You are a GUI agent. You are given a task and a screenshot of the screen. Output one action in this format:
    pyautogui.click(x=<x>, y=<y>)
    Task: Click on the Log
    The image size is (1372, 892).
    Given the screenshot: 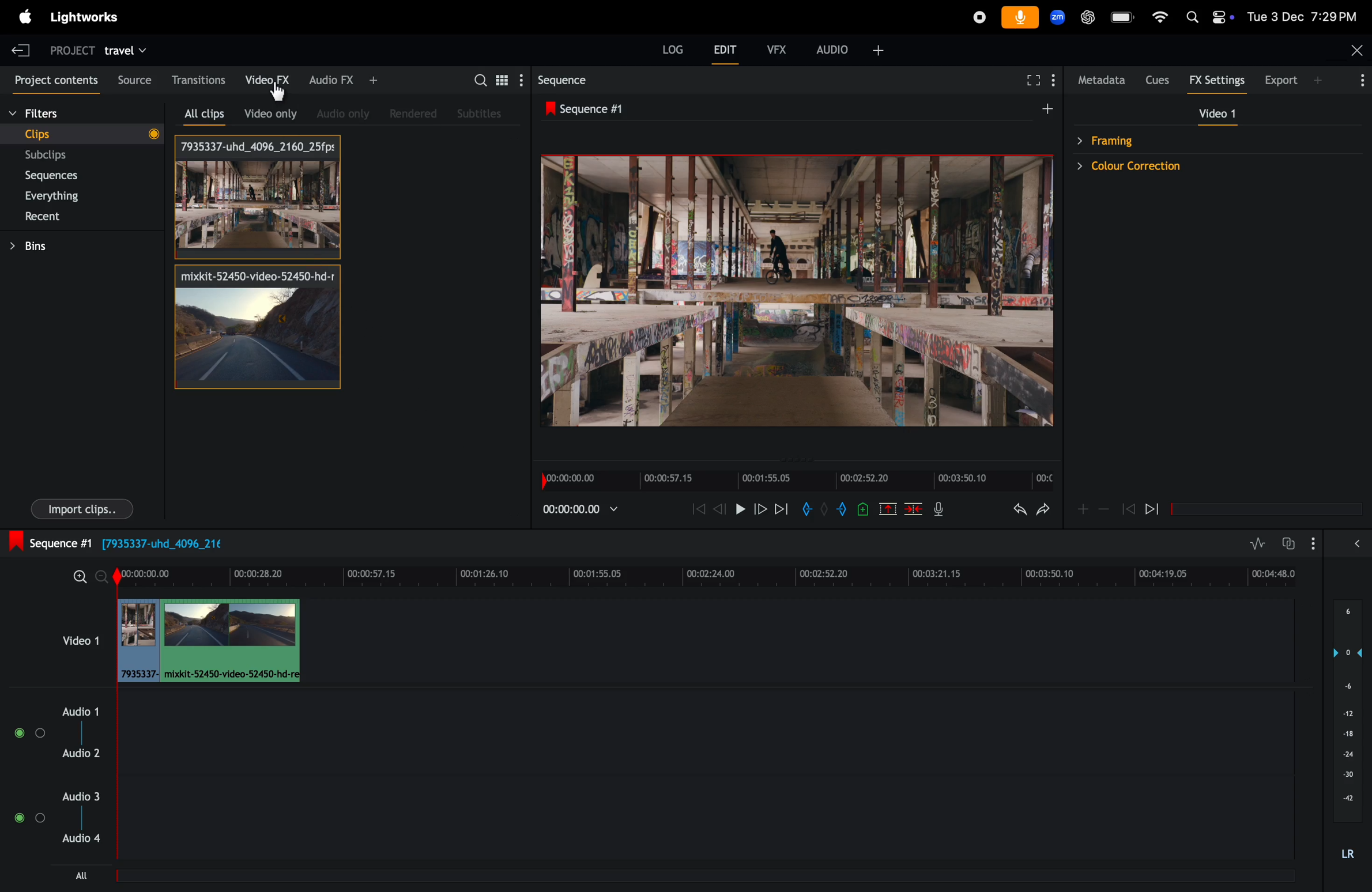 What is the action you would take?
    pyautogui.click(x=666, y=47)
    